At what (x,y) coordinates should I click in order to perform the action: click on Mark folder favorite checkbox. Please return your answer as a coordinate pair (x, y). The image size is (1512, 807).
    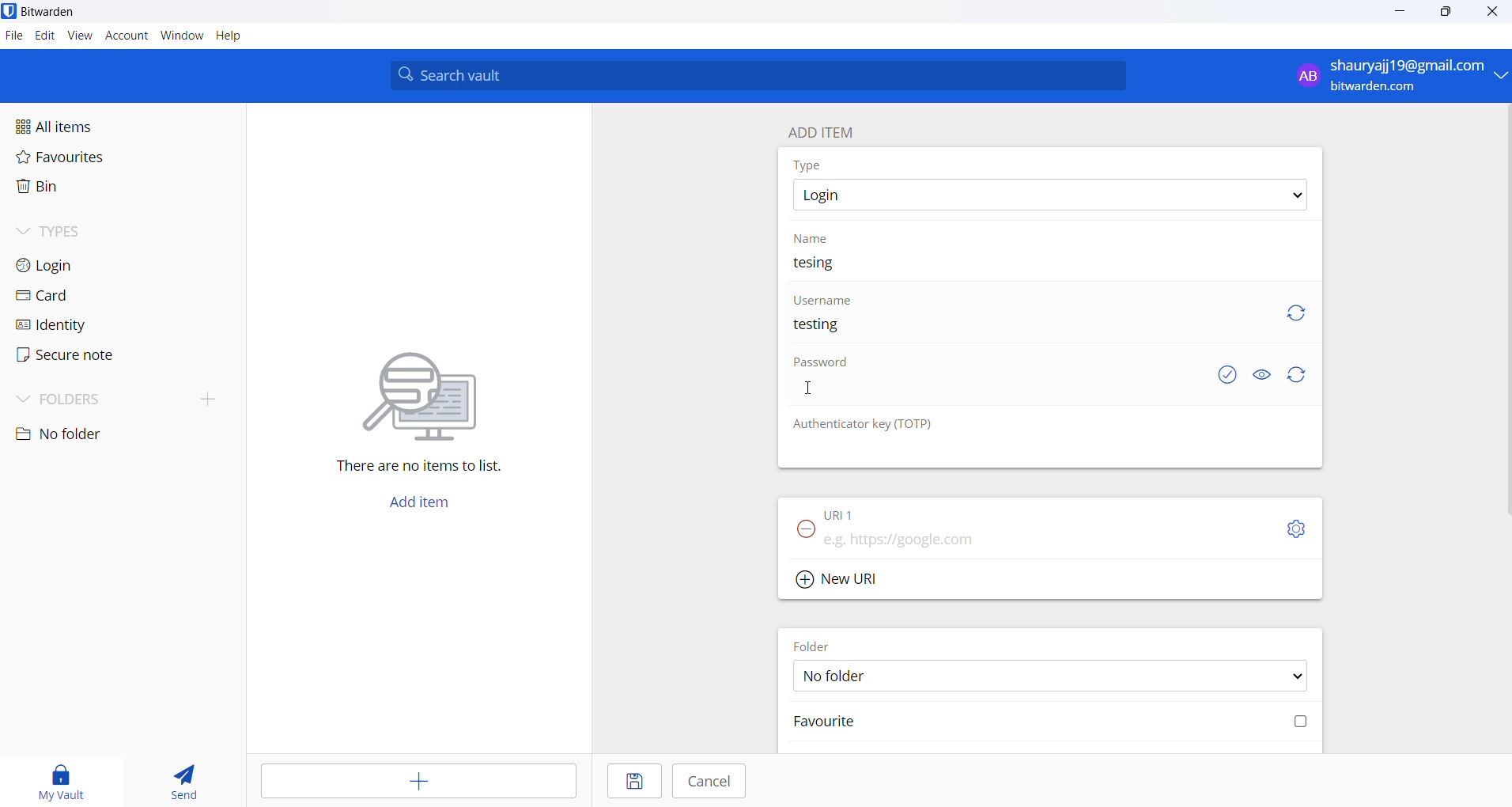
    Looking at the image, I should click on (1048, 723).